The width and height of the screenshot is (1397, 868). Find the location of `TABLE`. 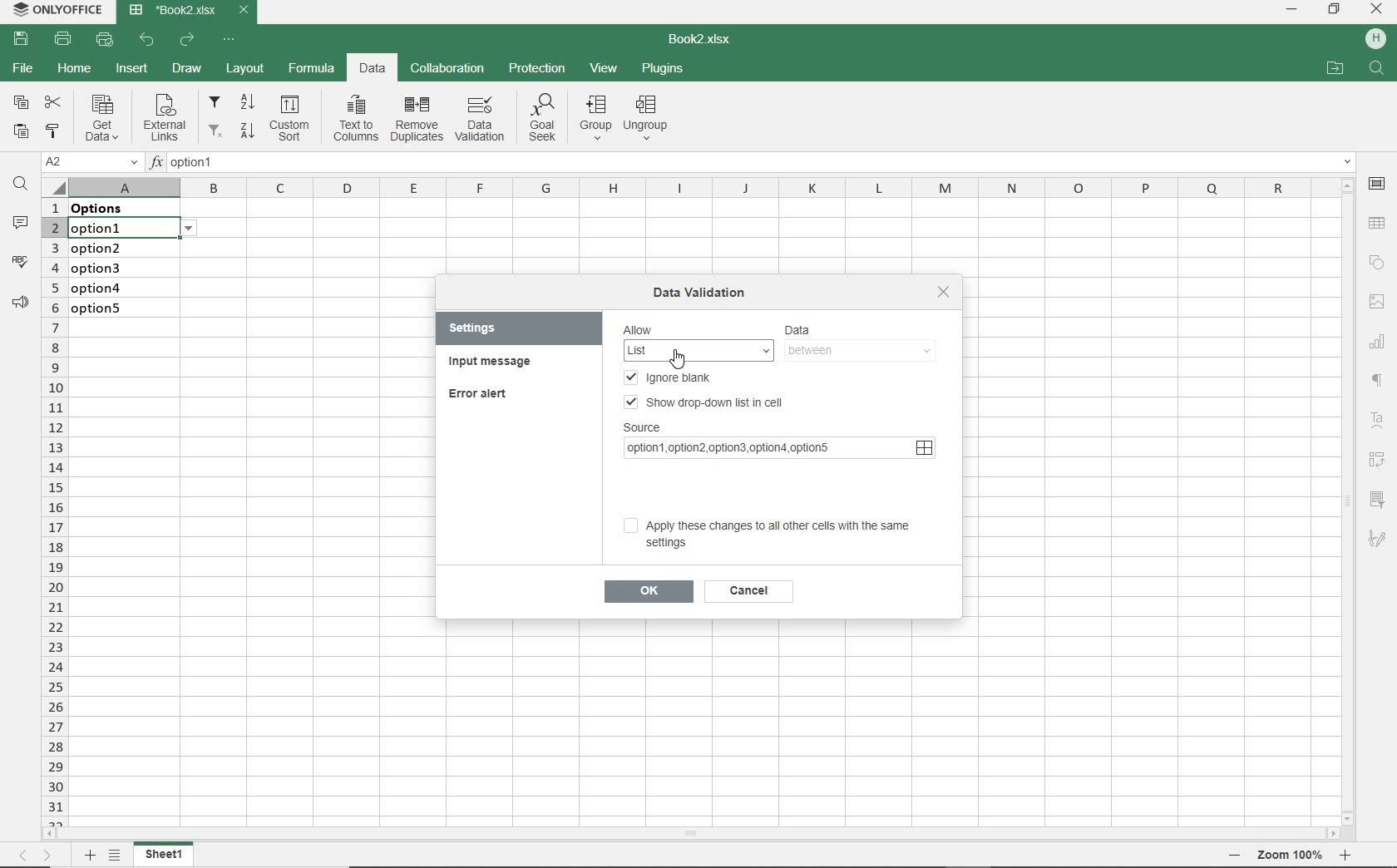

TABLE is located at coordinates (1376, 224).